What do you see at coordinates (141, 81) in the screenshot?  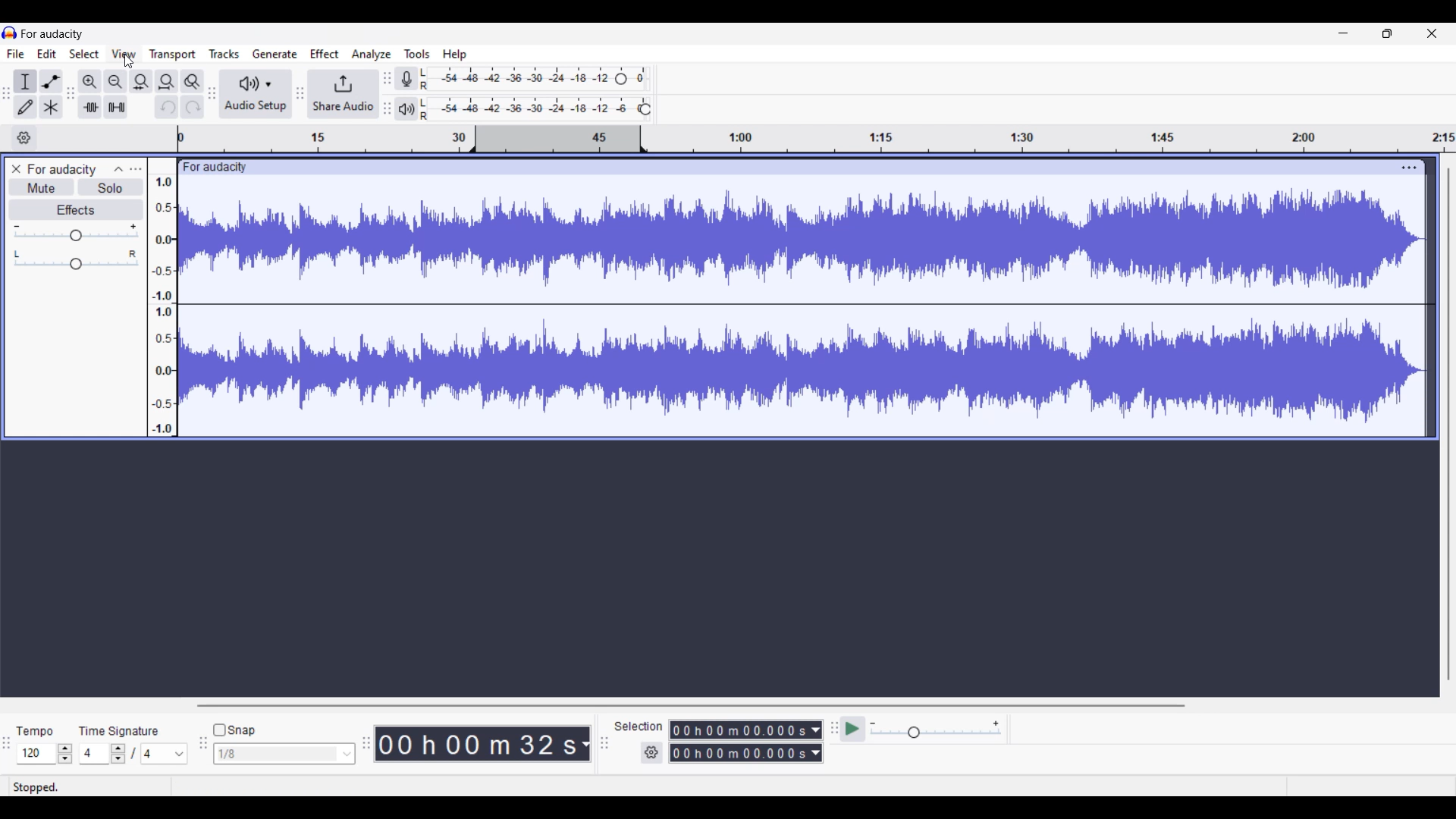 I see `Fit selection to width` at bounding box center [141, 81].